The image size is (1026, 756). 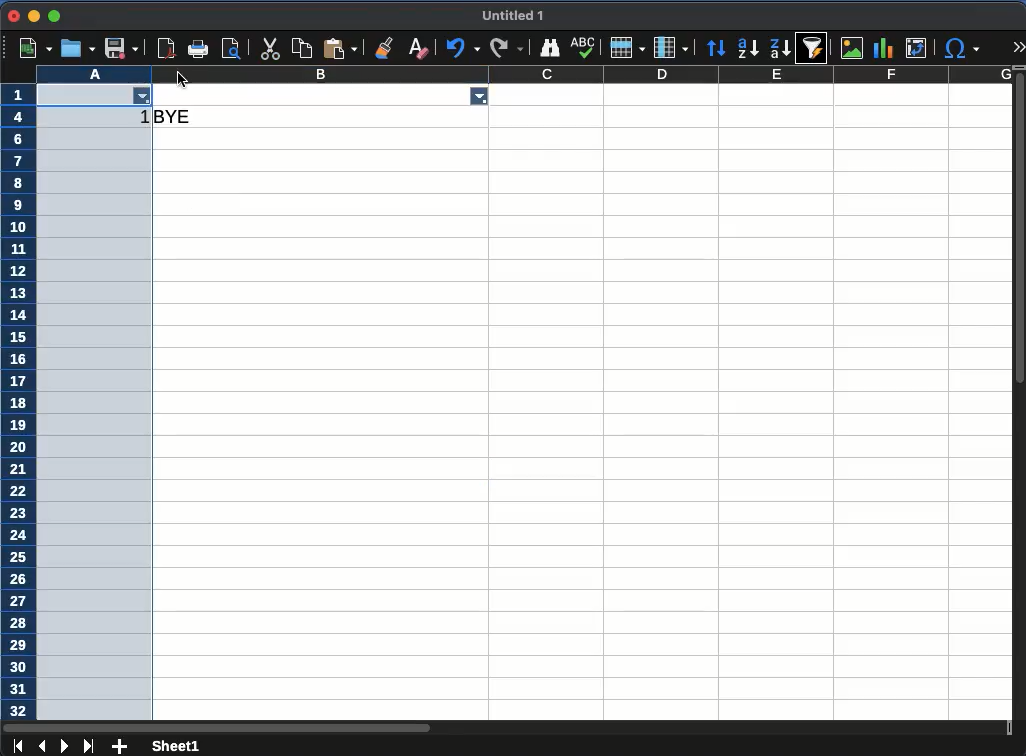 I want to click on first sheet, so click(x=17, y=745).